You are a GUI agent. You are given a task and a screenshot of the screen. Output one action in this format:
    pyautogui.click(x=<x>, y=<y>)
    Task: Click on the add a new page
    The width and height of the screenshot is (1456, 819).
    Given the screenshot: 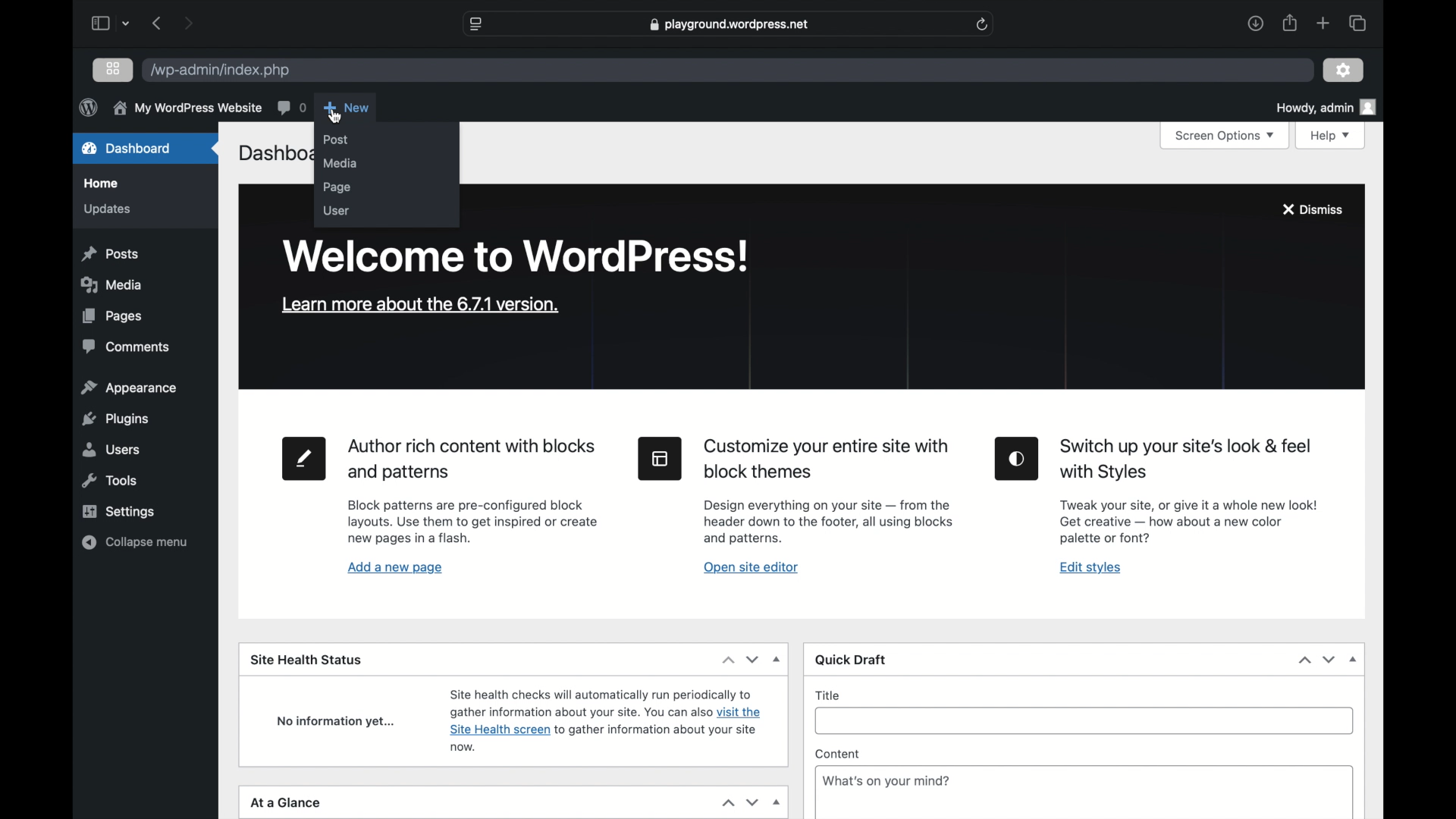 What is the action you would take?
    pyautogui.click(x=395, y=569)
    